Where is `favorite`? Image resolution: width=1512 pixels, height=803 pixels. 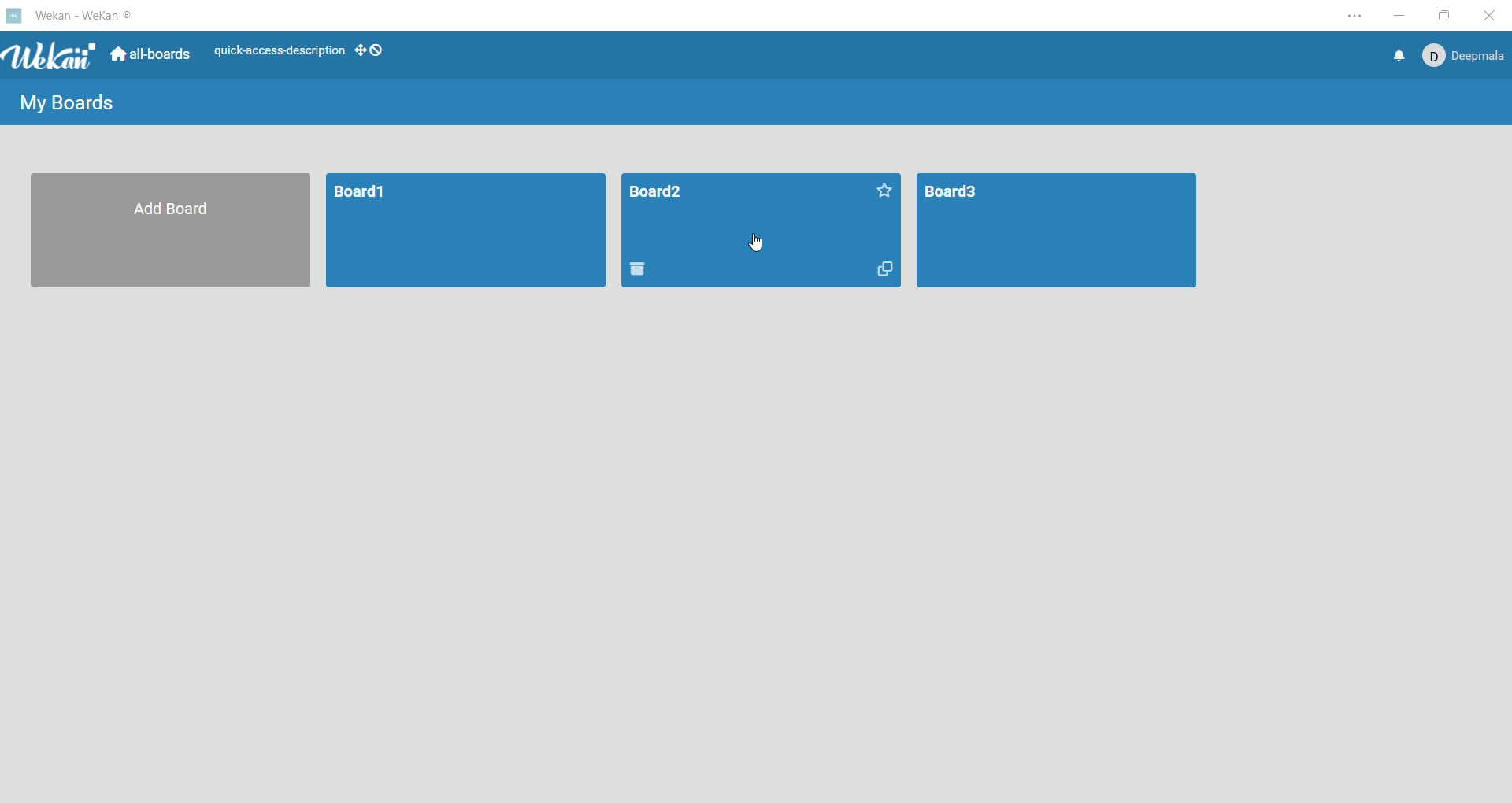 favorite is located at coordinates (884, 189).